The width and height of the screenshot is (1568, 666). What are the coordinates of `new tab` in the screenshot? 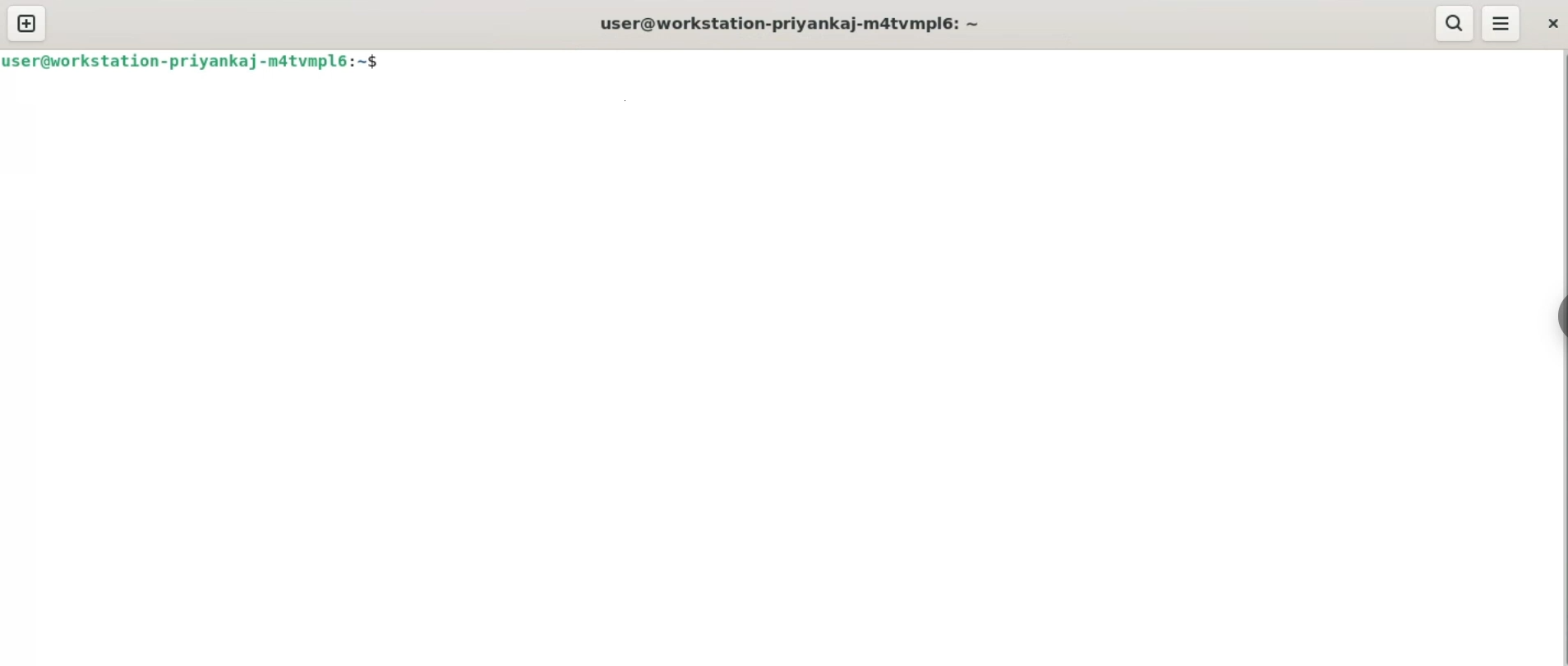 It's located at (28, 25).